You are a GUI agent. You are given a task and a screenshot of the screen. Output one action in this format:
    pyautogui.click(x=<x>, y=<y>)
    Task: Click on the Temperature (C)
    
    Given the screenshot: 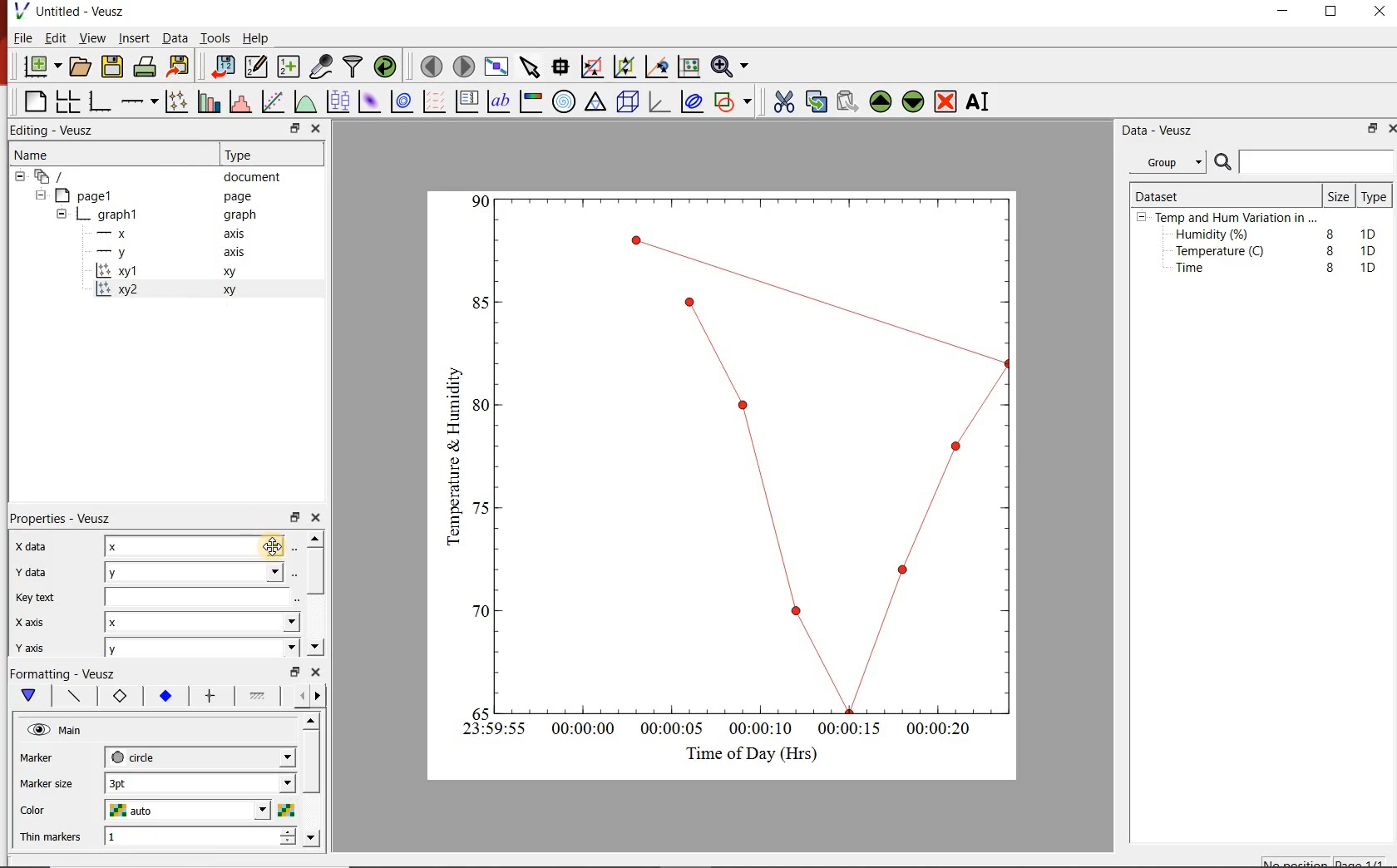 What is the action you would take?
    pyautogui.click(x=1223, y=253)
    